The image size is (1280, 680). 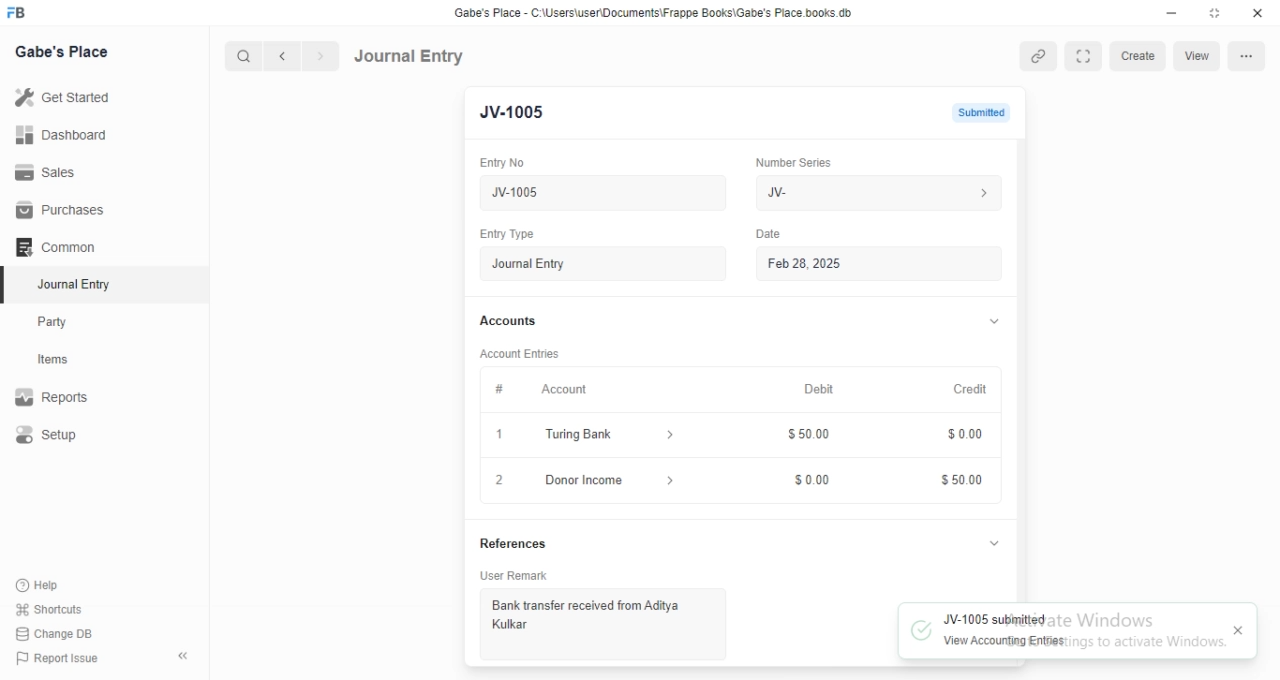 I want to click on options, so click(x=1244, y=54).